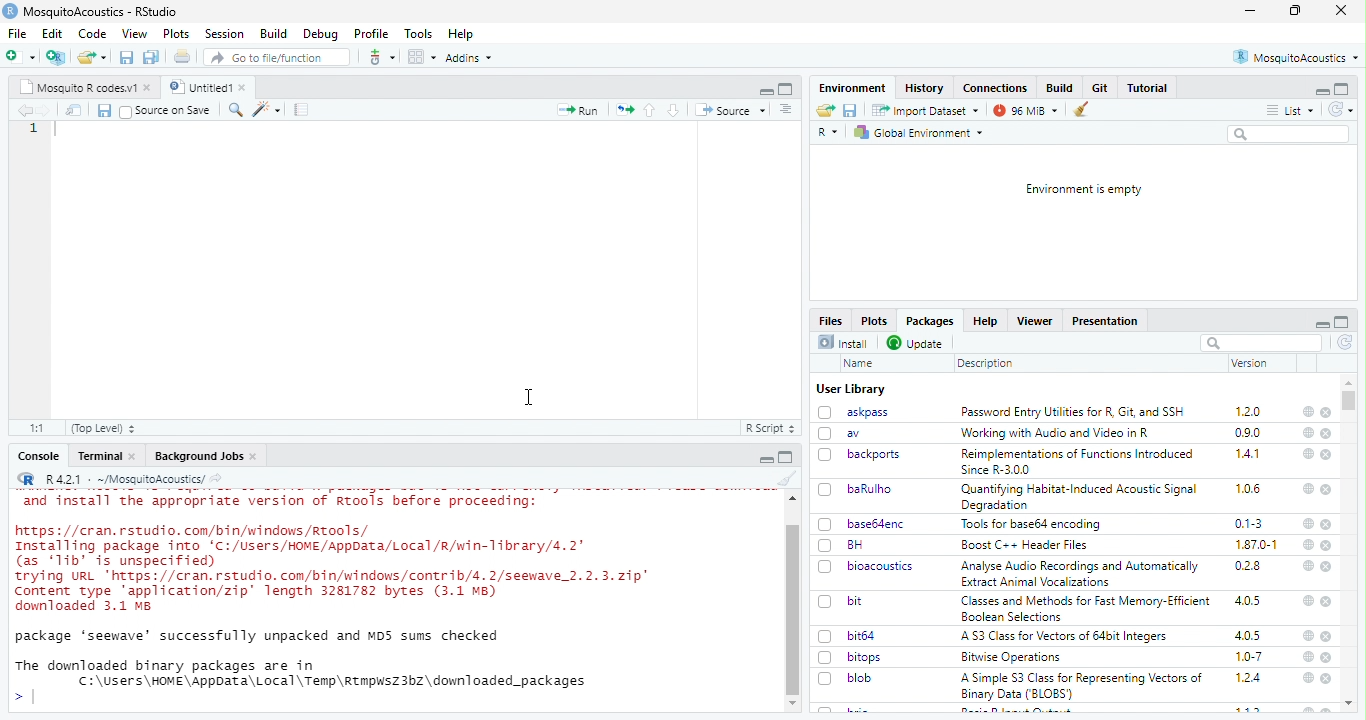  What do you see at coordinates (21, 57) in the screenshot?
I see `open file` at bounding box center [21, 57].